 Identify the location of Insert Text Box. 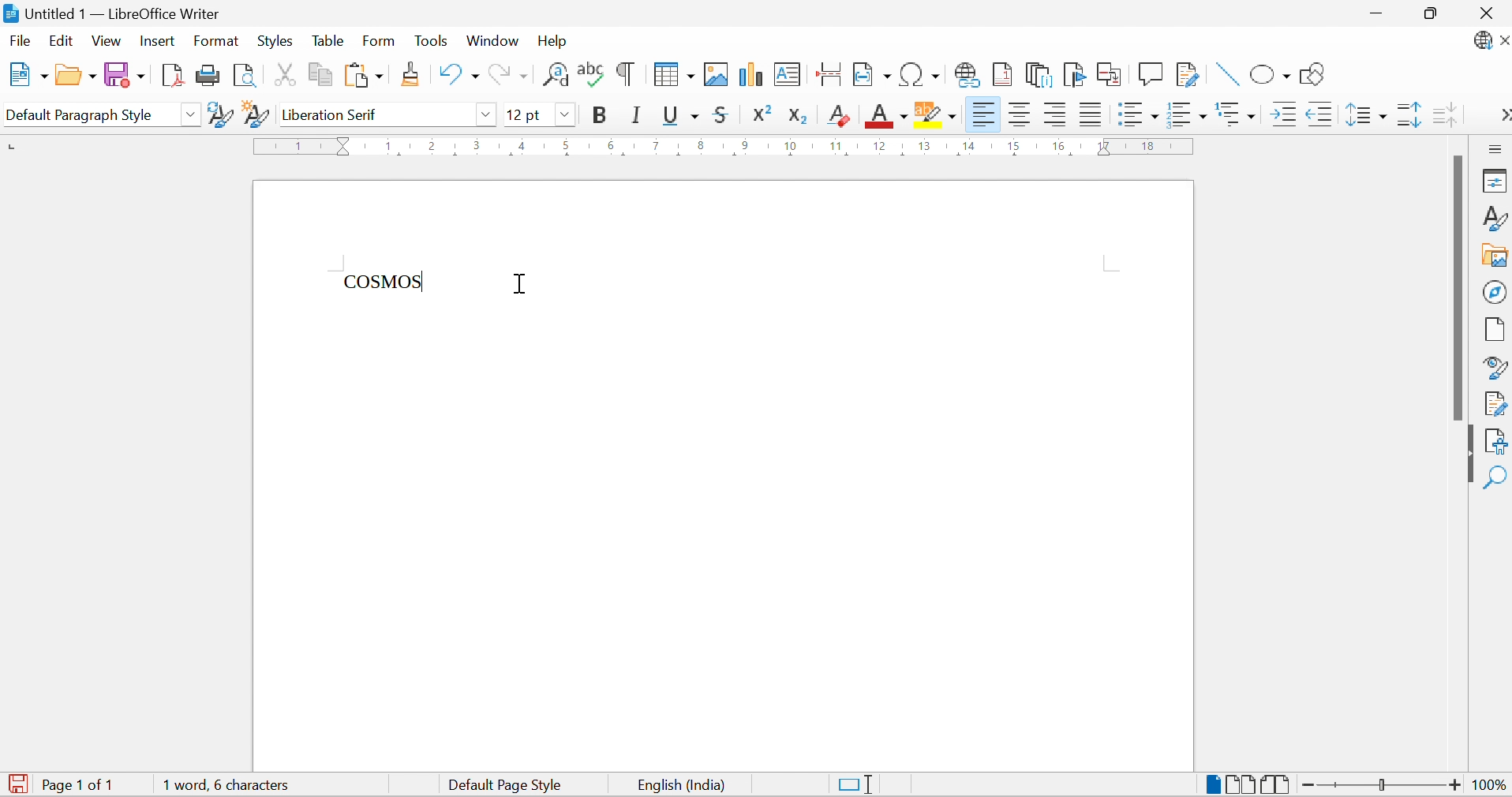
(788, 73).